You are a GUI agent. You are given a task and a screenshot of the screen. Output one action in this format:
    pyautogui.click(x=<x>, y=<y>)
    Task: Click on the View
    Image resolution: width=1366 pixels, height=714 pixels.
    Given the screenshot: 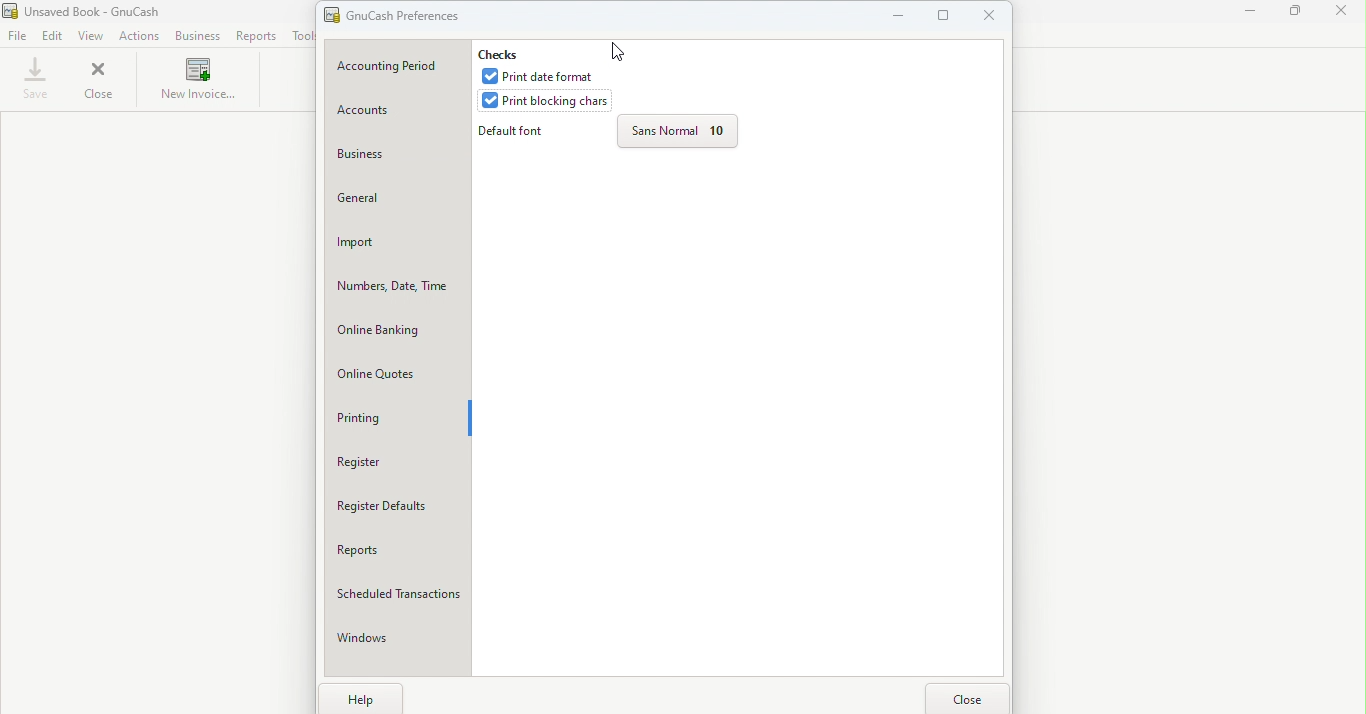 What is the action you would take?
    pyautogui.click(x=92, y=36)
    